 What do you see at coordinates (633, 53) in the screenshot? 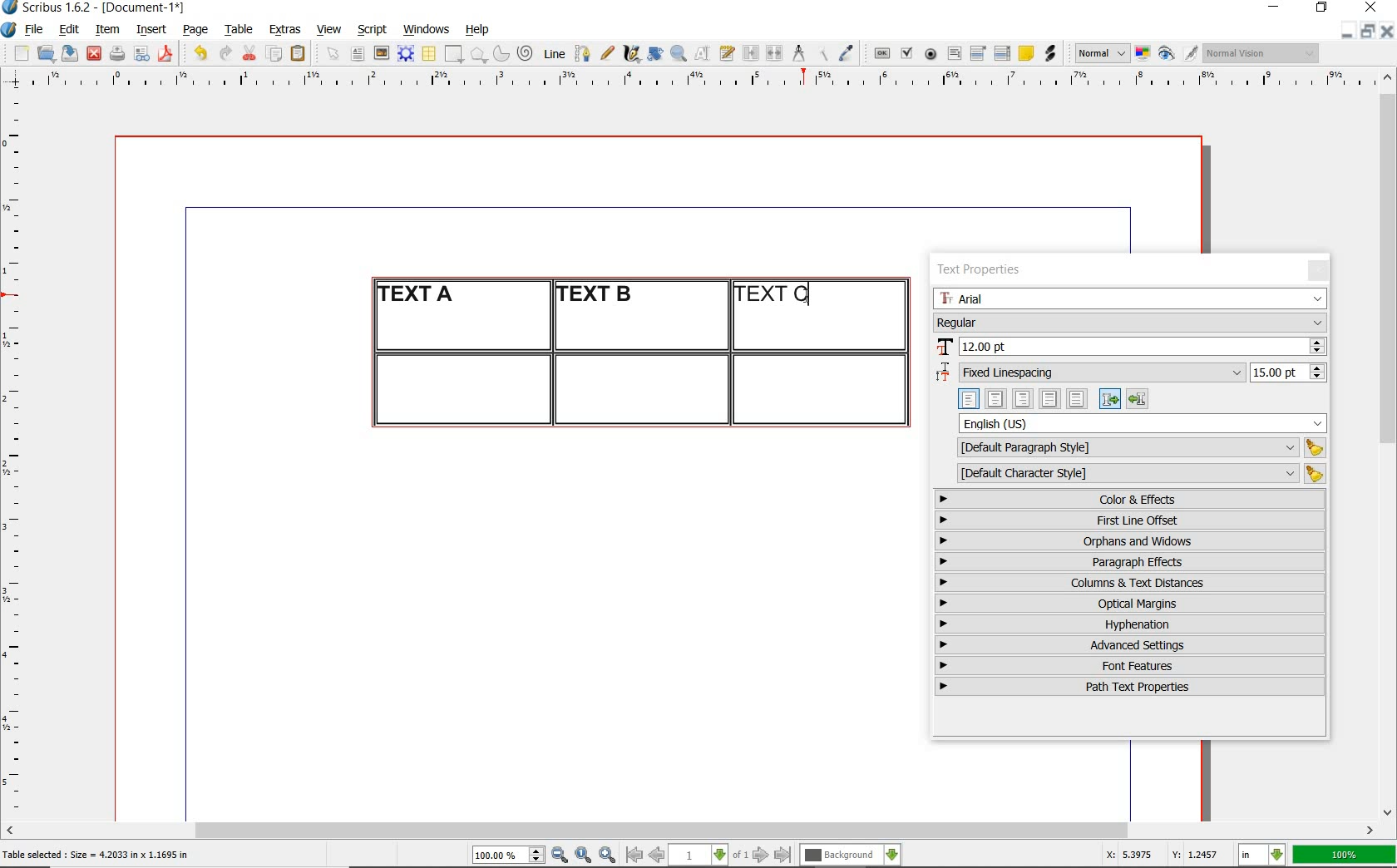
I see `calligraphic line` at bounding box center [633, 53].